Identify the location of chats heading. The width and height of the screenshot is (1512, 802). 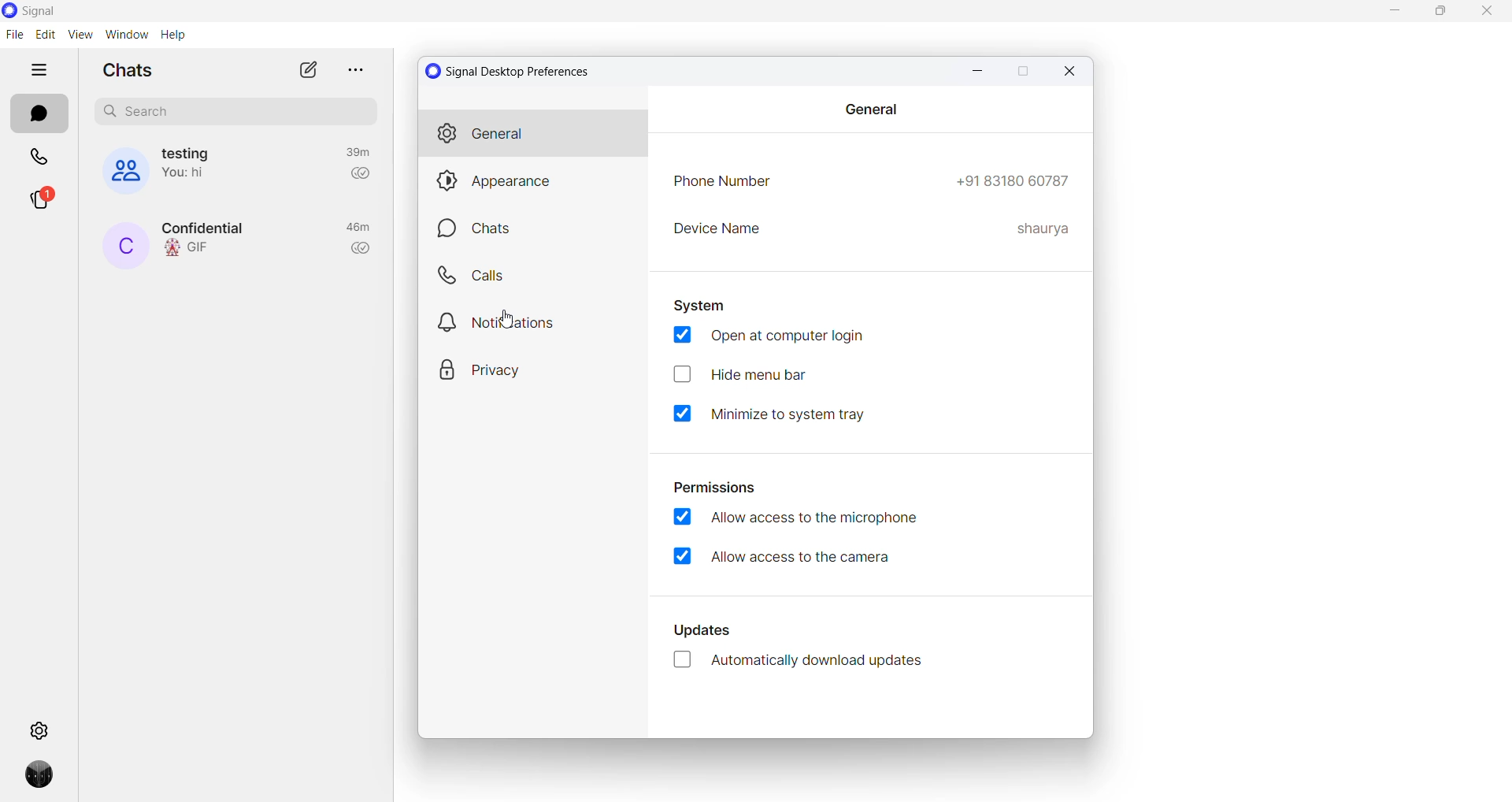
(127, 71).